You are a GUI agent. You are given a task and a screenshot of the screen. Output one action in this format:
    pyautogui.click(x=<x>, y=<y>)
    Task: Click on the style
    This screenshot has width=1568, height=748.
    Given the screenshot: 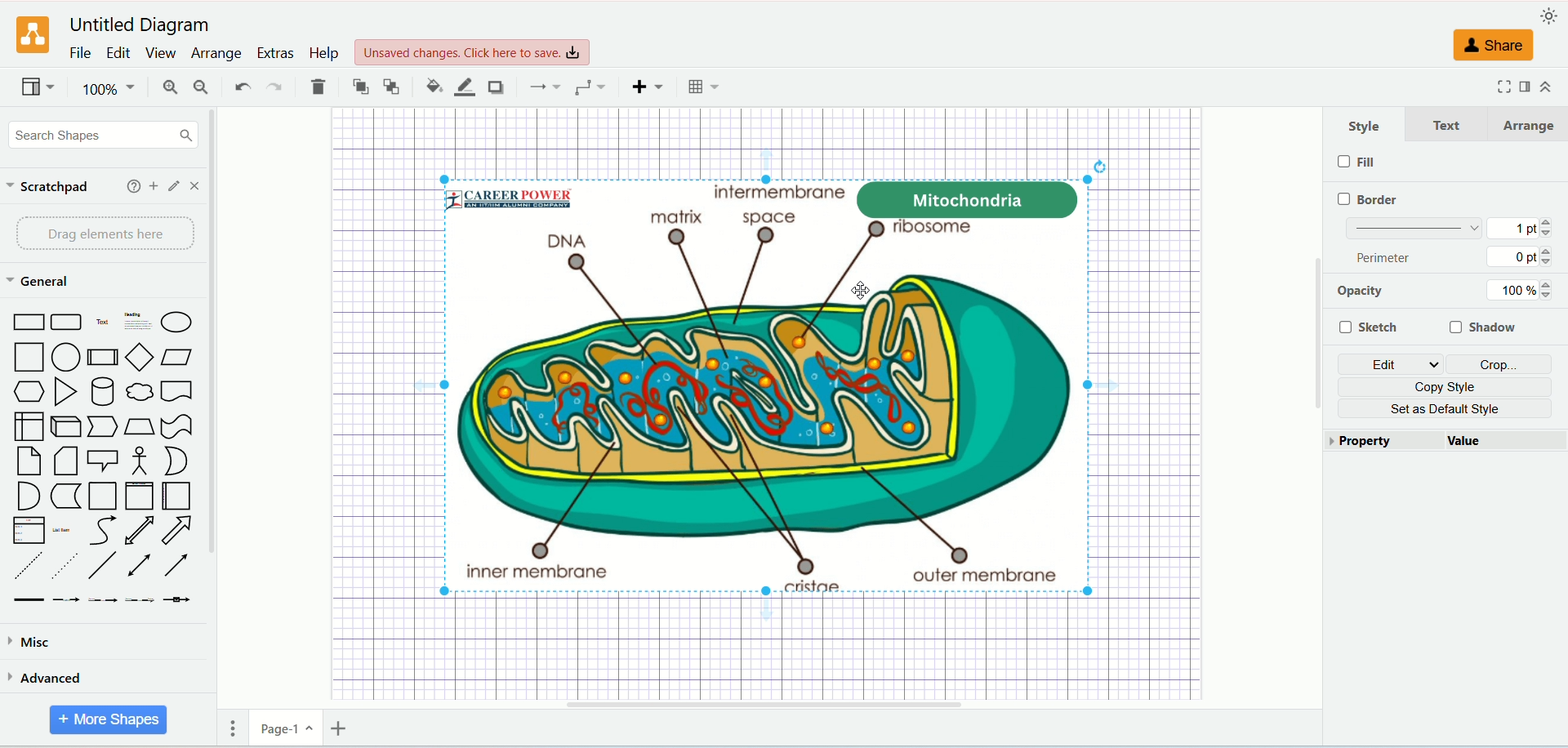 What is the action you would take?
    pyautogui.click(x=1369, y=126)
    